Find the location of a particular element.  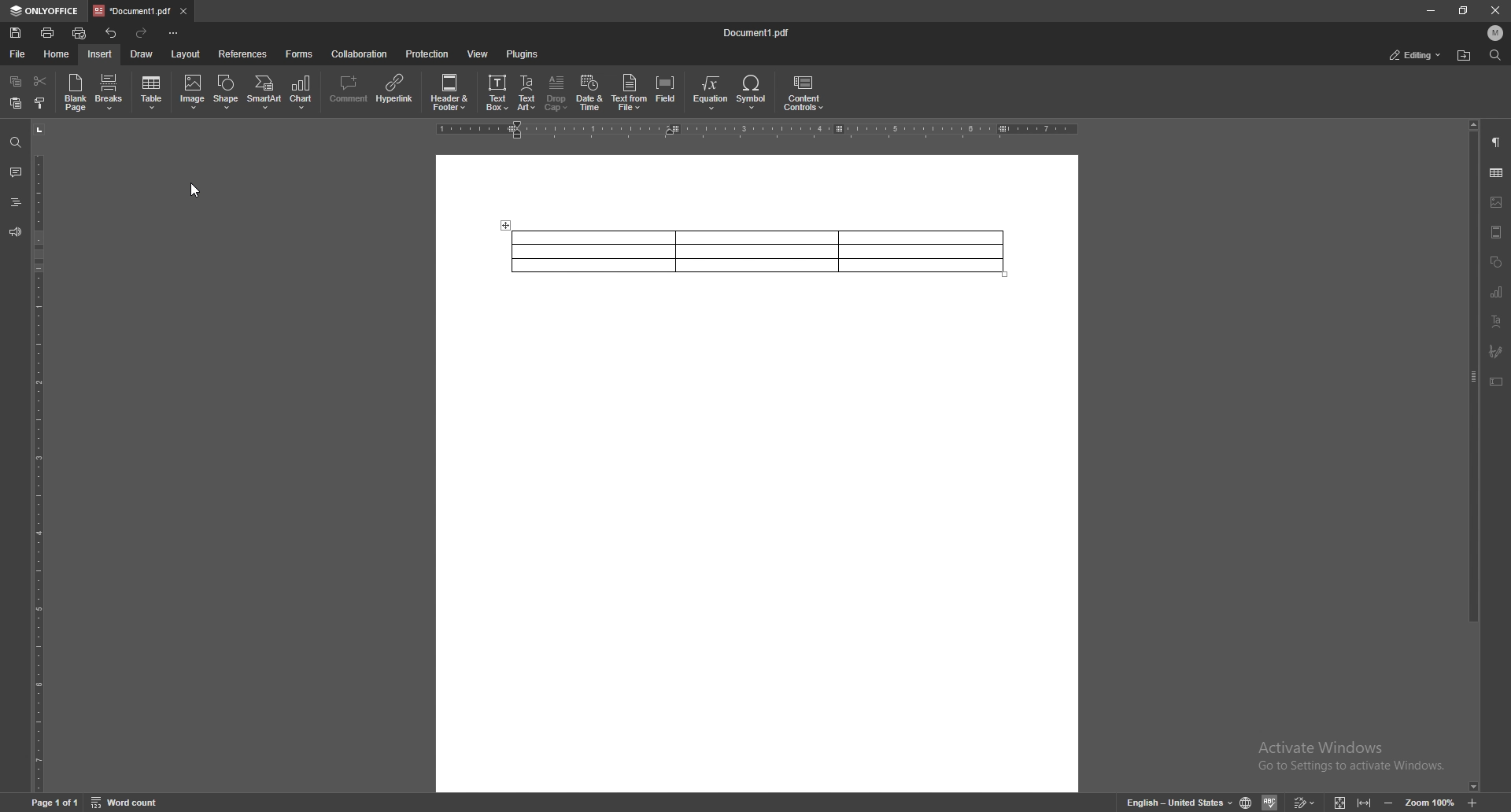

zoom out is located at coordinates (1476, 804).